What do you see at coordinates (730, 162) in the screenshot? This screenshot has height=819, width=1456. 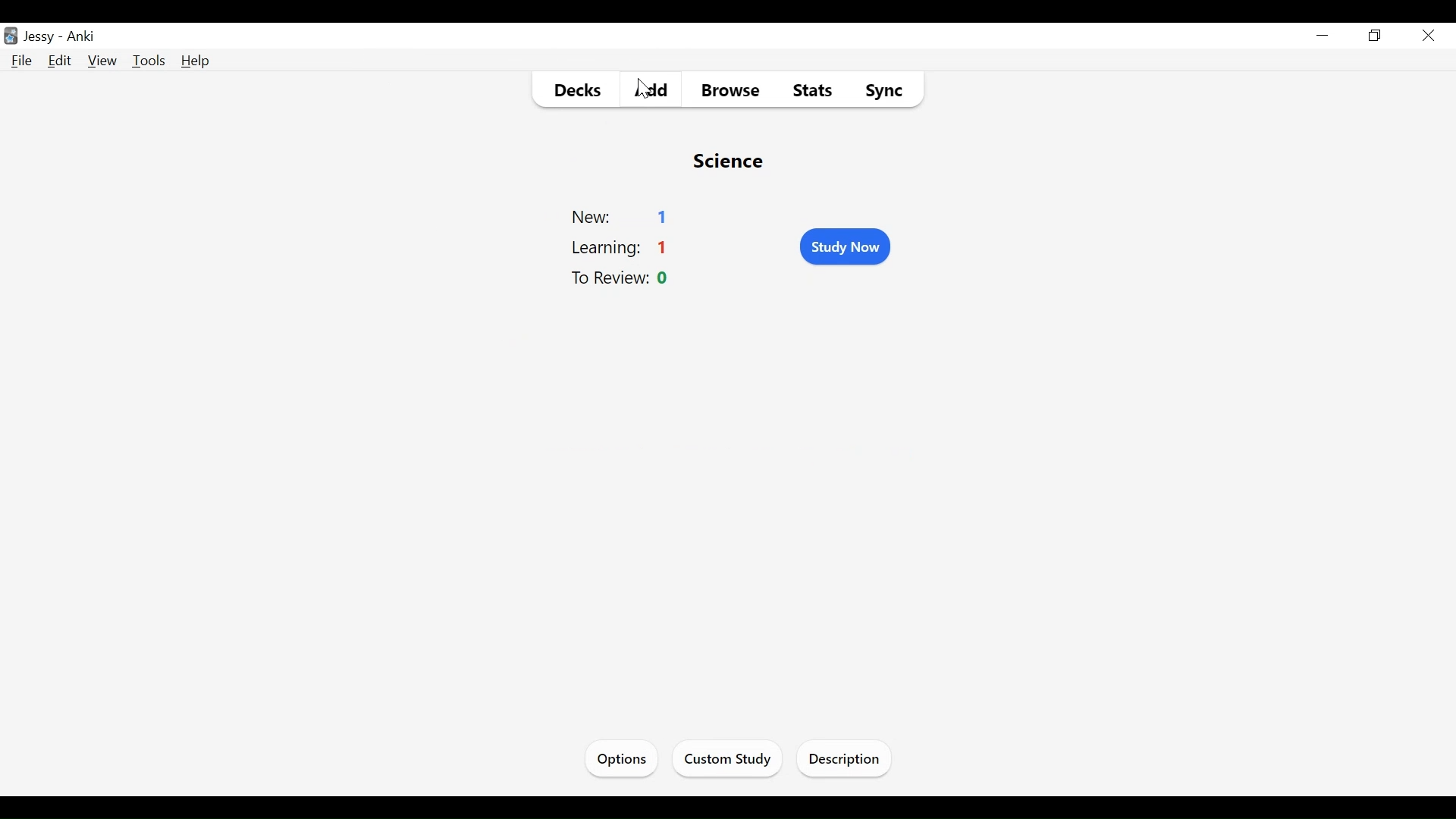 I see `Deck Name` at bounding box center [730, 162].